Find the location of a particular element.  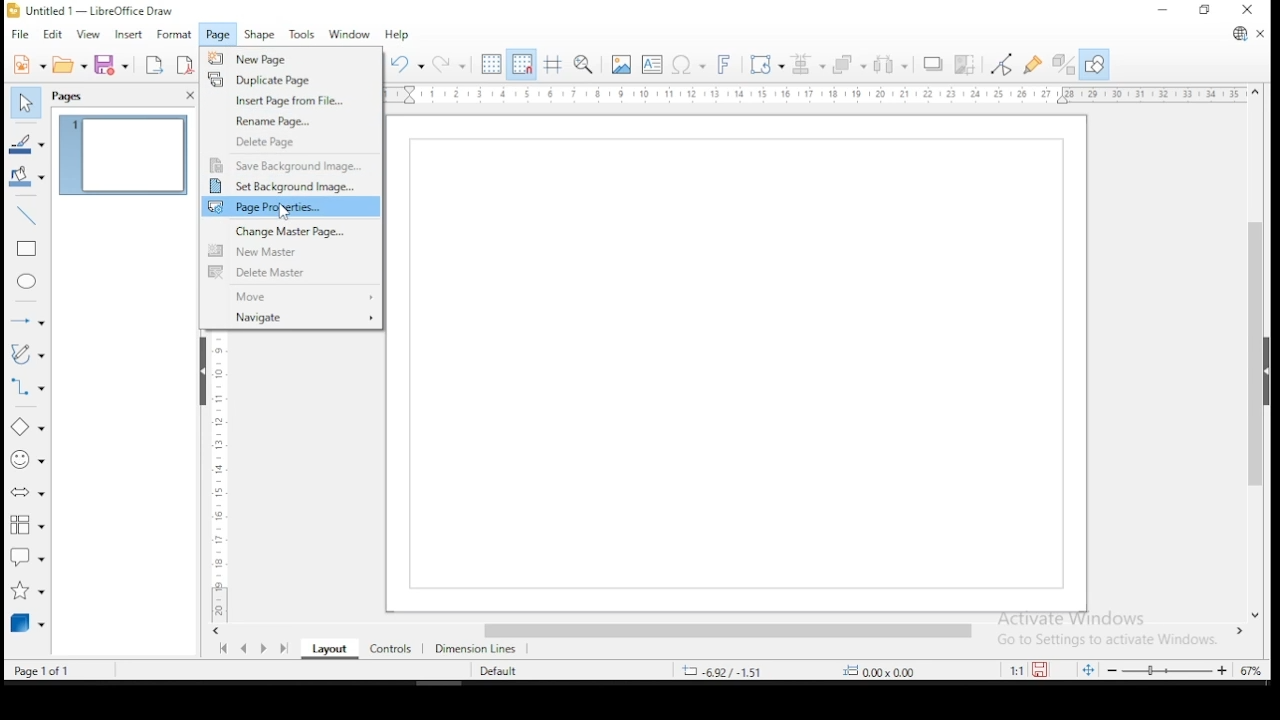

select is located at coordinates (29, 103).